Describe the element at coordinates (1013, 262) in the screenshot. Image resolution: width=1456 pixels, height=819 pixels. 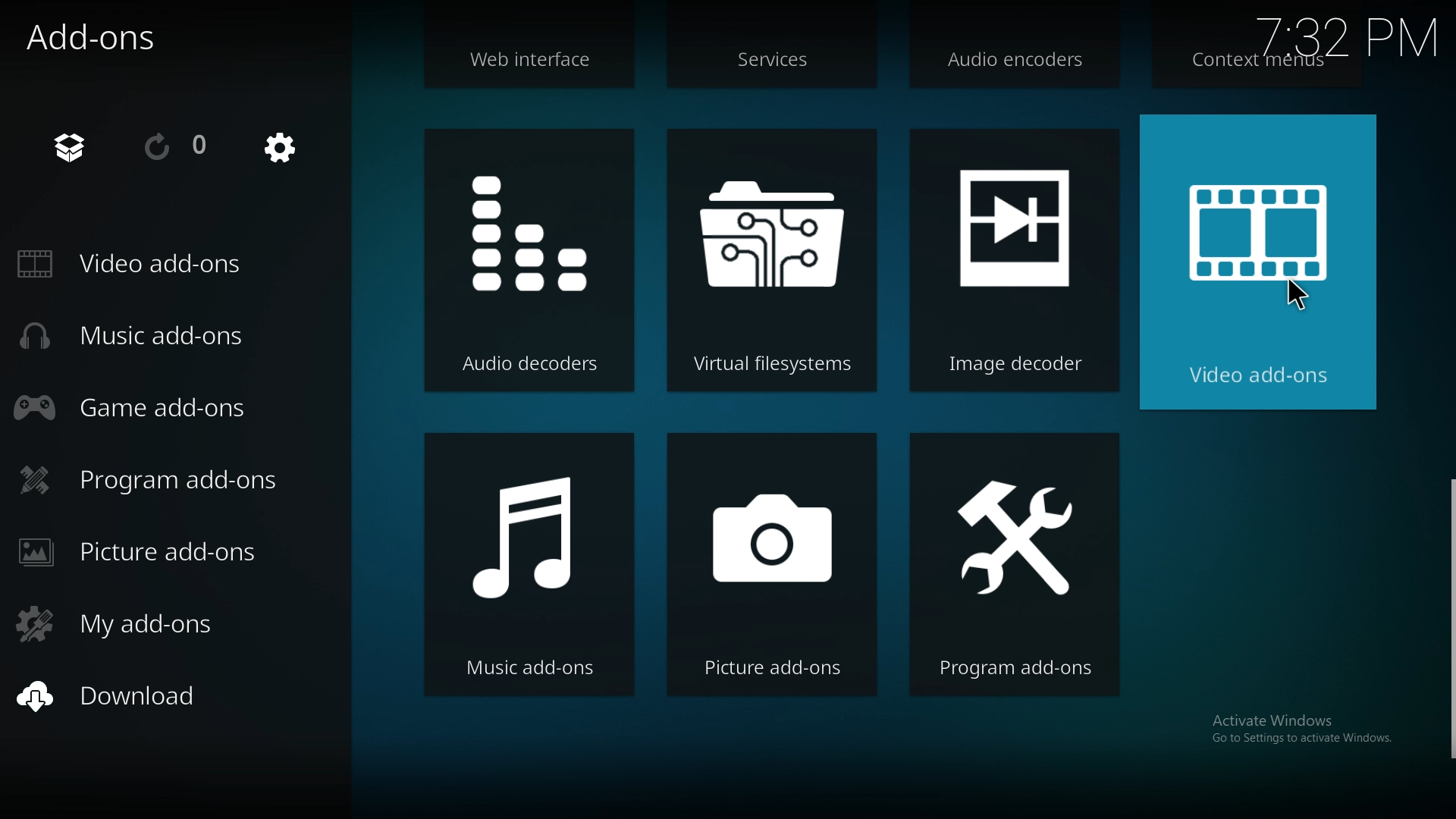
I see `image decoders` at that location.